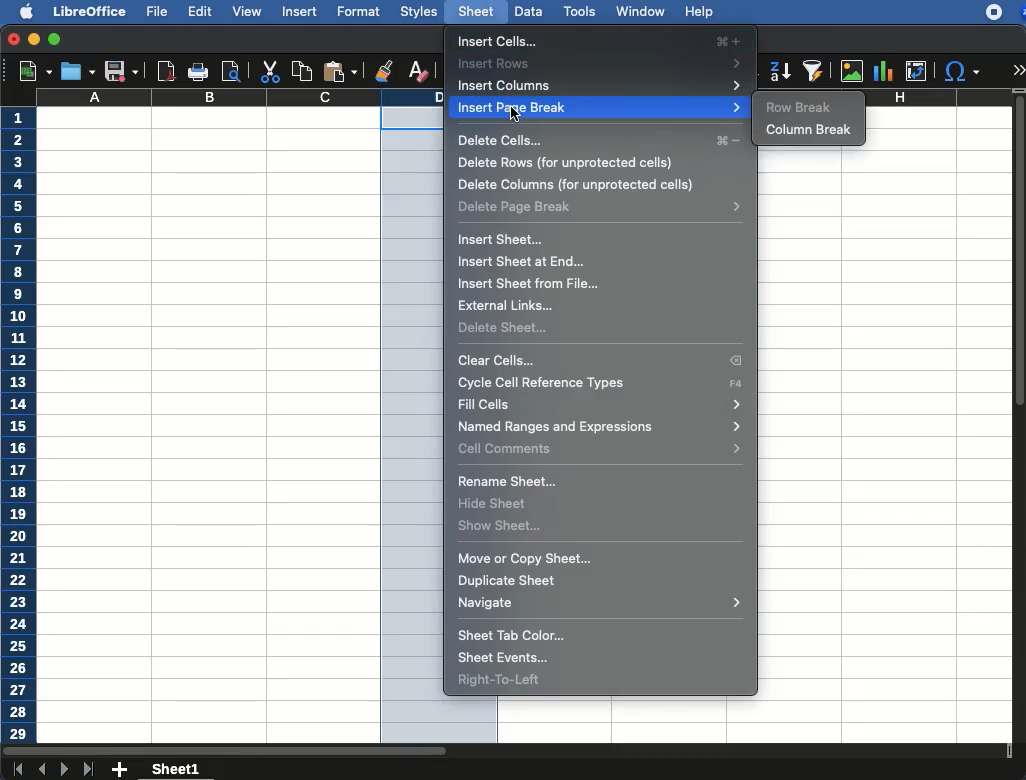 This screenshot has height=780, width=1026. Describe the element at coordinates (639, 11) in the screenshot. I see `window` at that location.